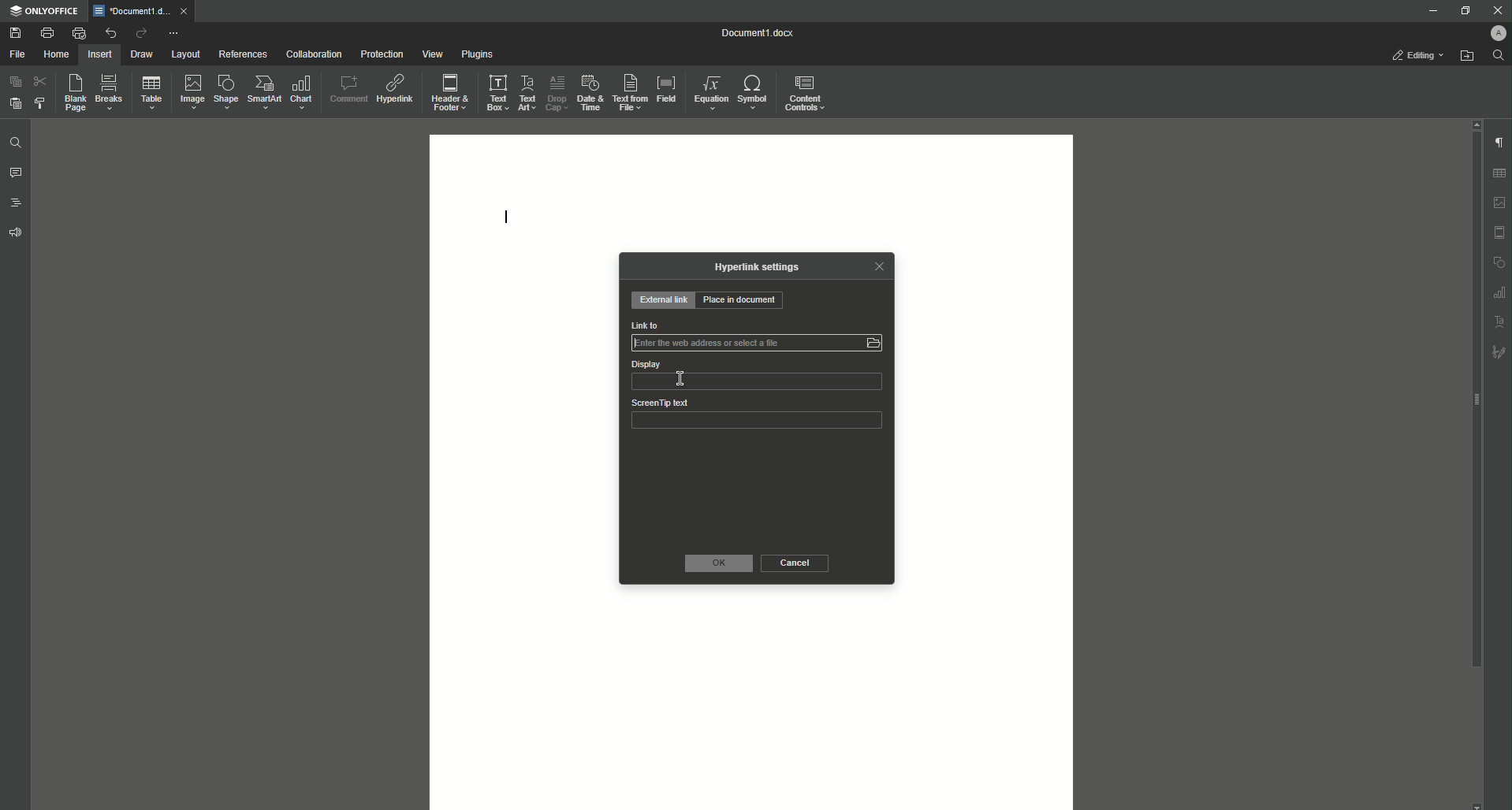 The height and width of the screenshot is (810, 1512). What do you see at coordinates (1478, 805) in the screenshot?
I see `scroll down` at bounding box center [1478, 805].